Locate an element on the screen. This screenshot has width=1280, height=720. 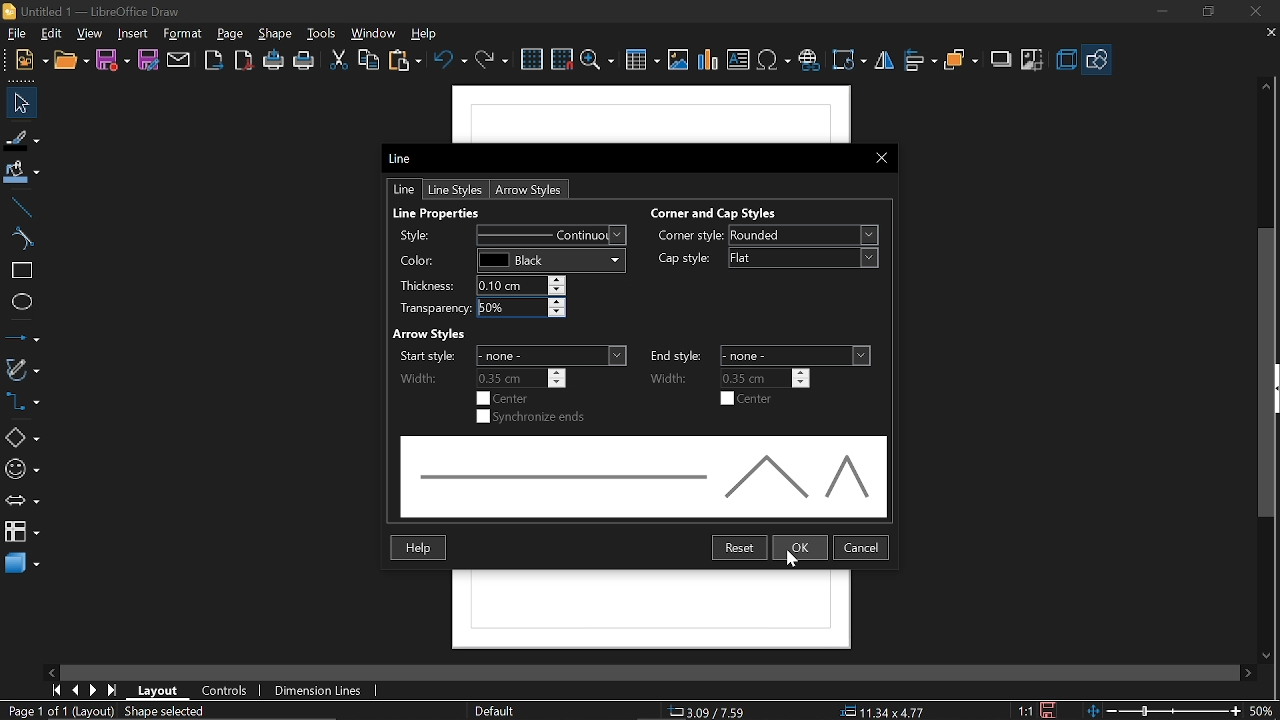
insert chart is located at coordinates (706, 60).